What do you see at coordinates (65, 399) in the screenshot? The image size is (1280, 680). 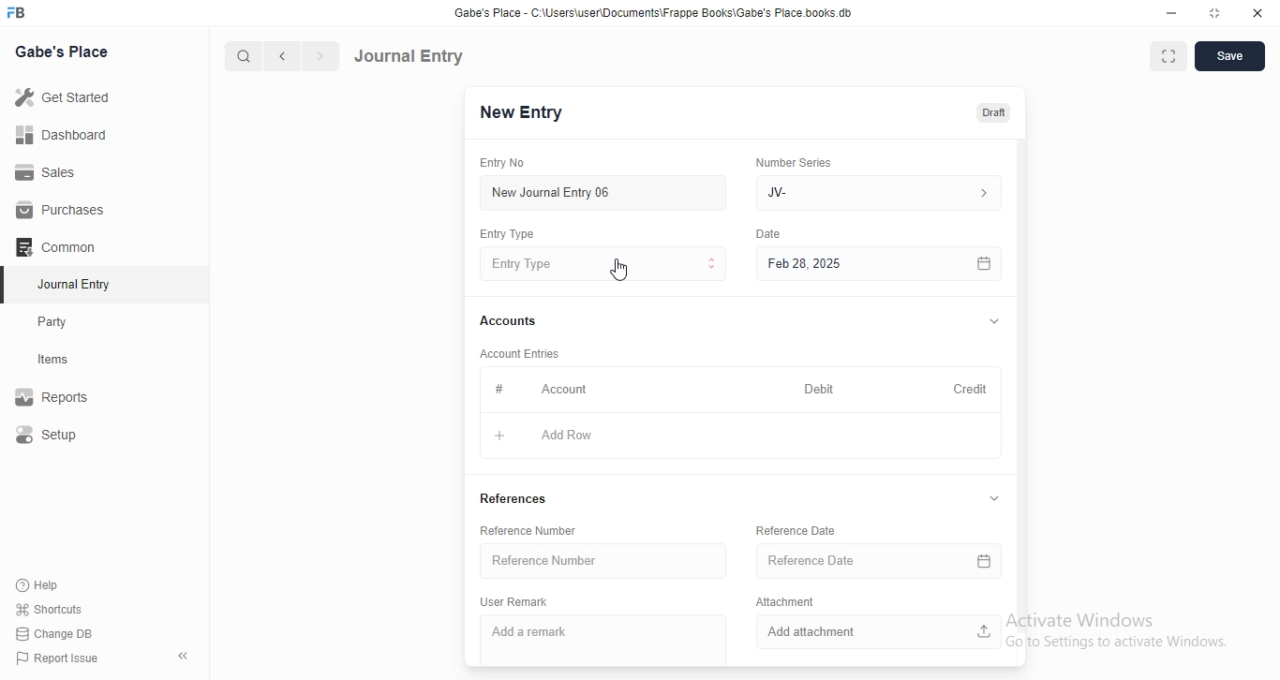 I see `Reports` at bounding box center [65, 399].